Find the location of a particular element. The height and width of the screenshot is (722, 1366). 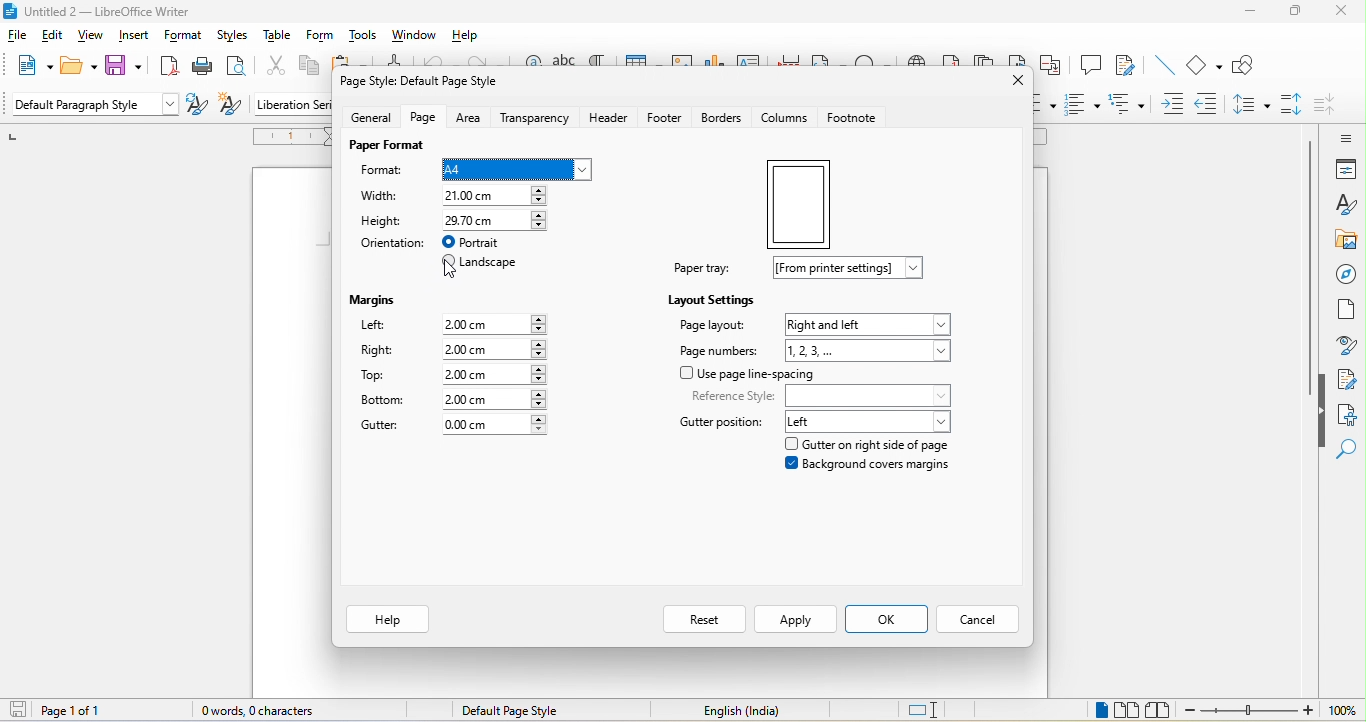

general is located at coordinates (363, 117).